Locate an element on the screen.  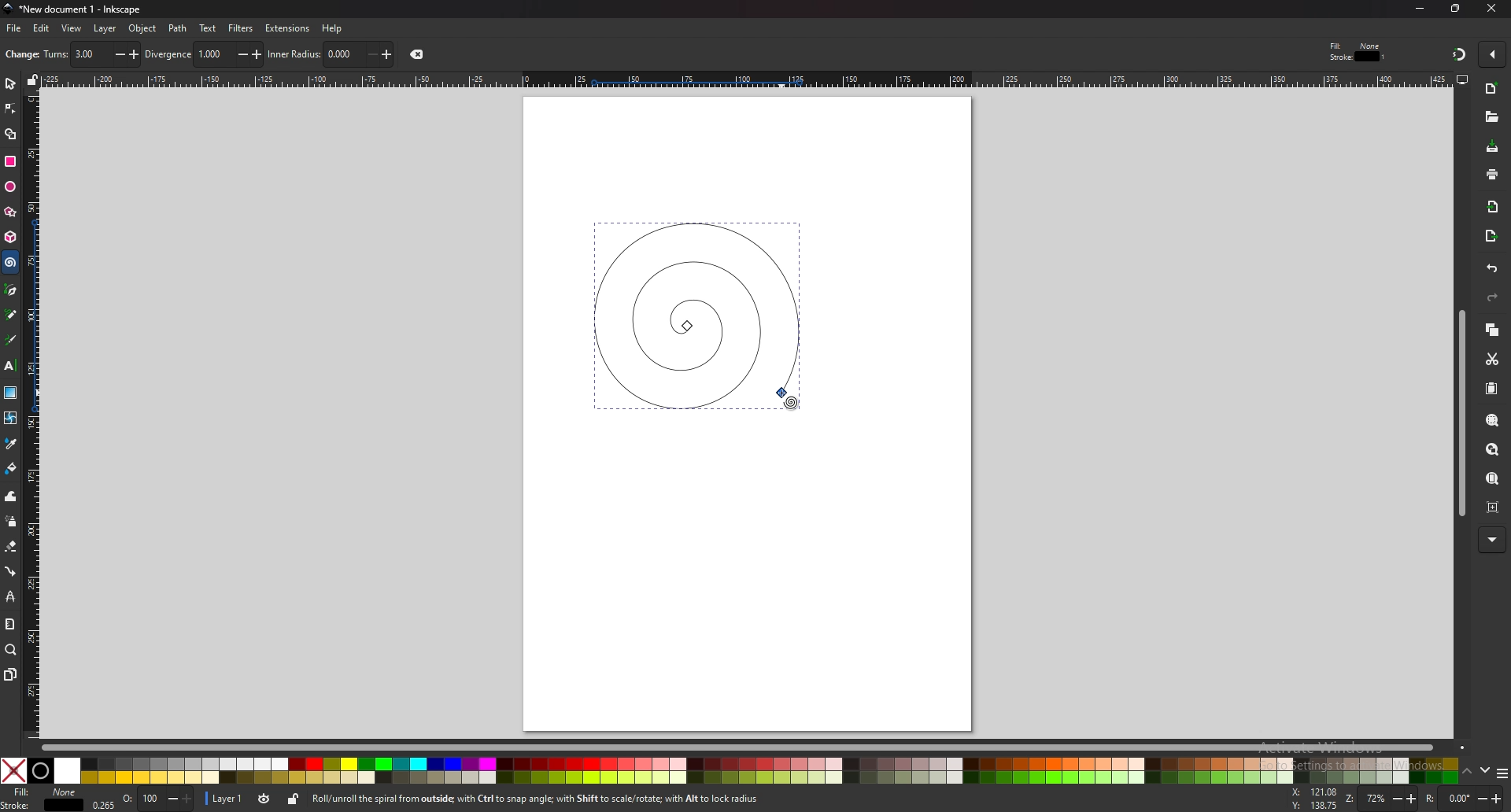
Stroke: 1 is located at coordinates (1358, 57).